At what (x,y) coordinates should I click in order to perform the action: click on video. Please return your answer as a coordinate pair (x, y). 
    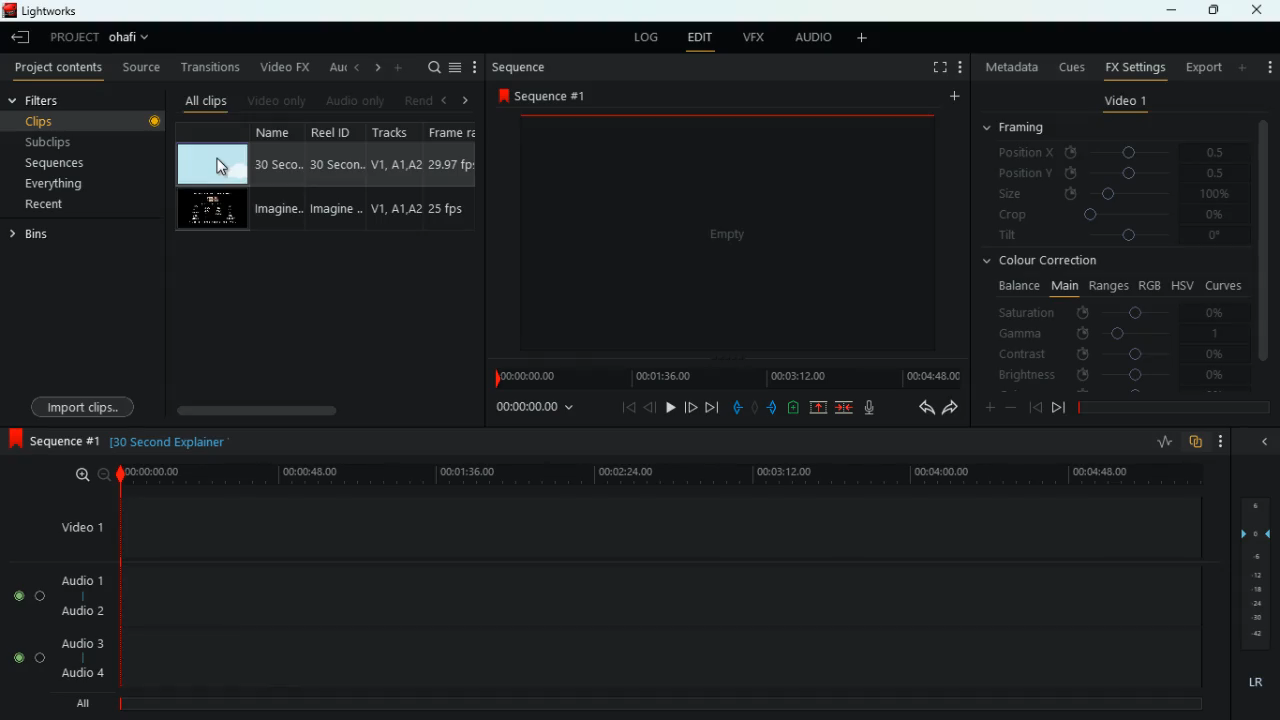
    Looking at the image, I should click on (213, 163).